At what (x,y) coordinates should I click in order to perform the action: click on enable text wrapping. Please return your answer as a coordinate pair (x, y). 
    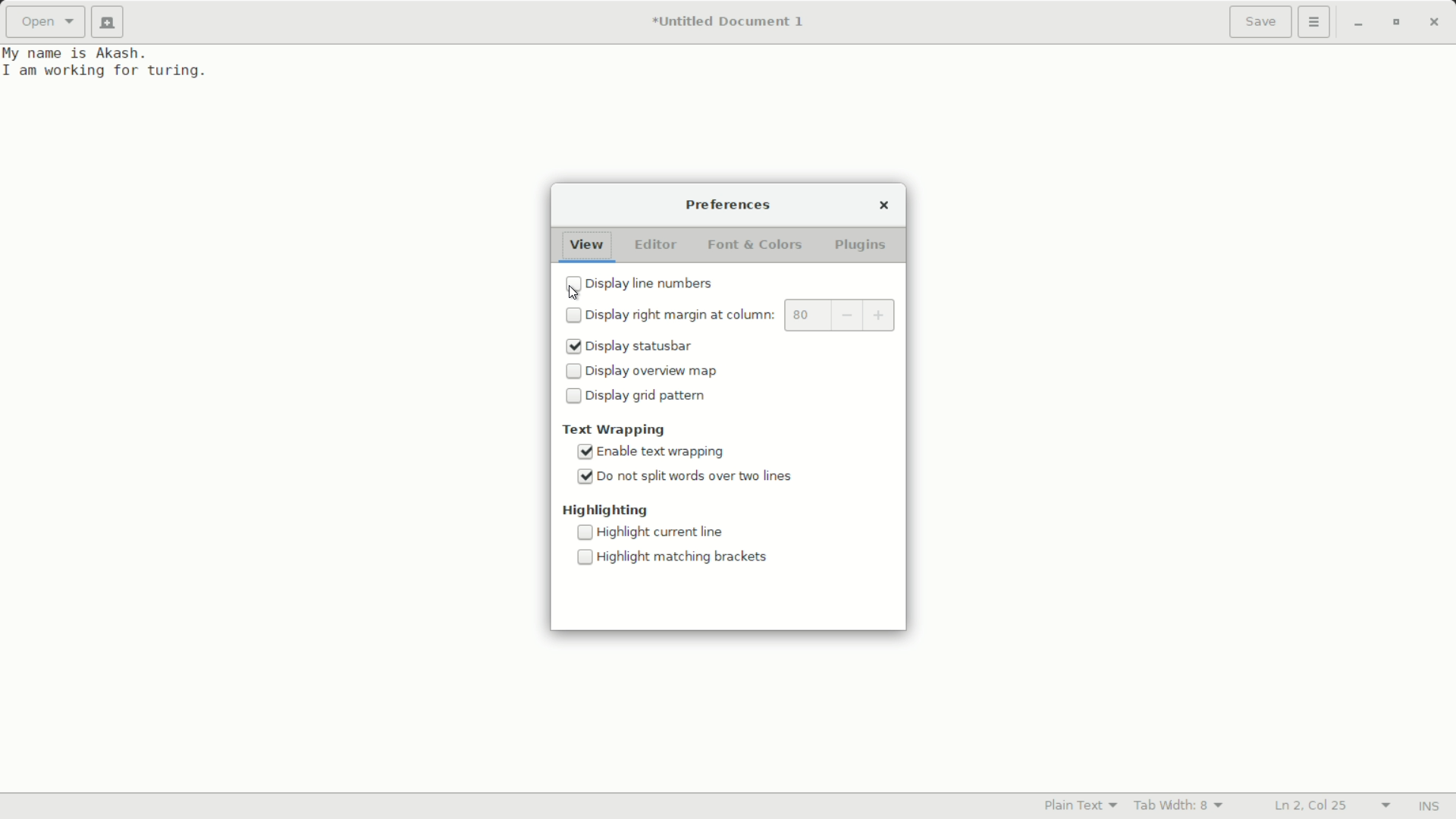
    Looking at the image, I should click on (667, 452).